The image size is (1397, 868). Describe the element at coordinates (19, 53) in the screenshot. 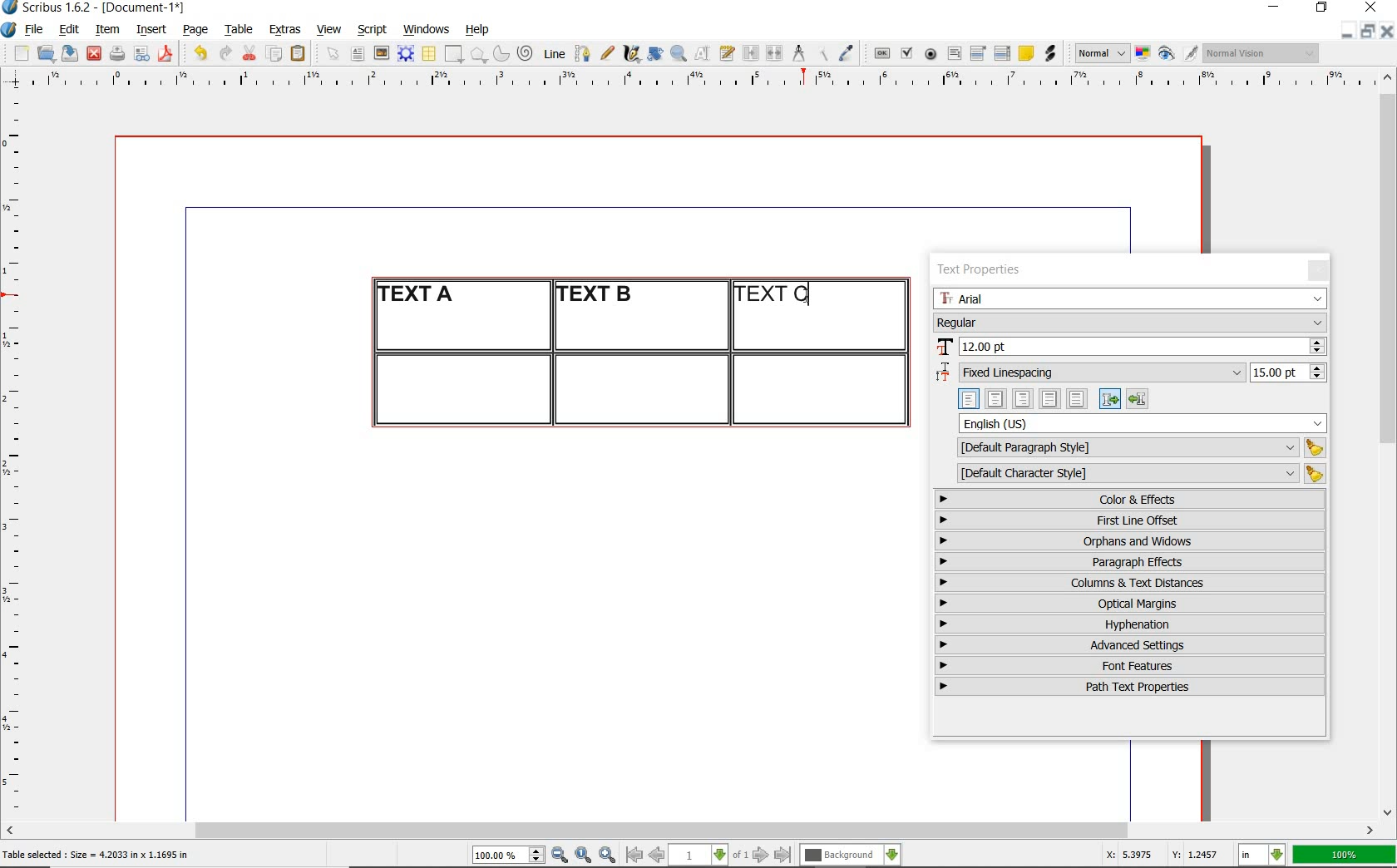

I see `new` at that location.